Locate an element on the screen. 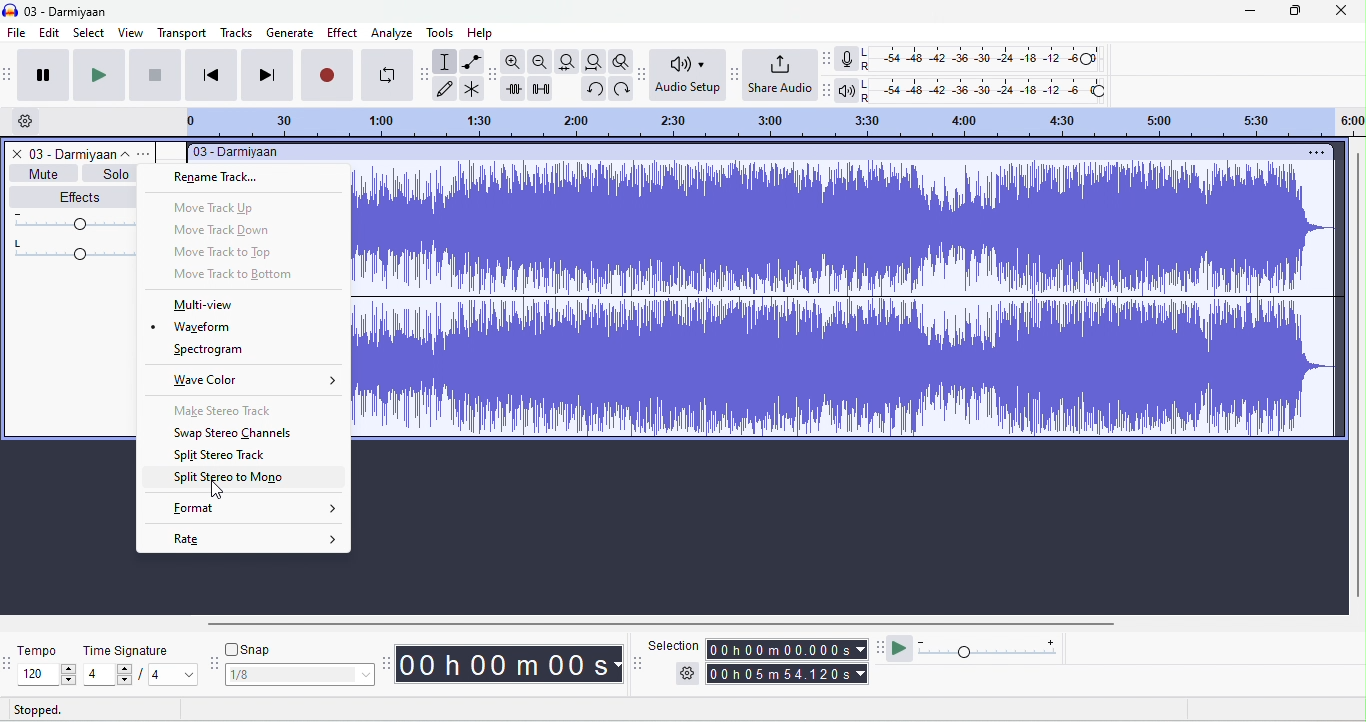 The width and height of the screenshot is (1366, 722). help is located at coordinates (480, 32).